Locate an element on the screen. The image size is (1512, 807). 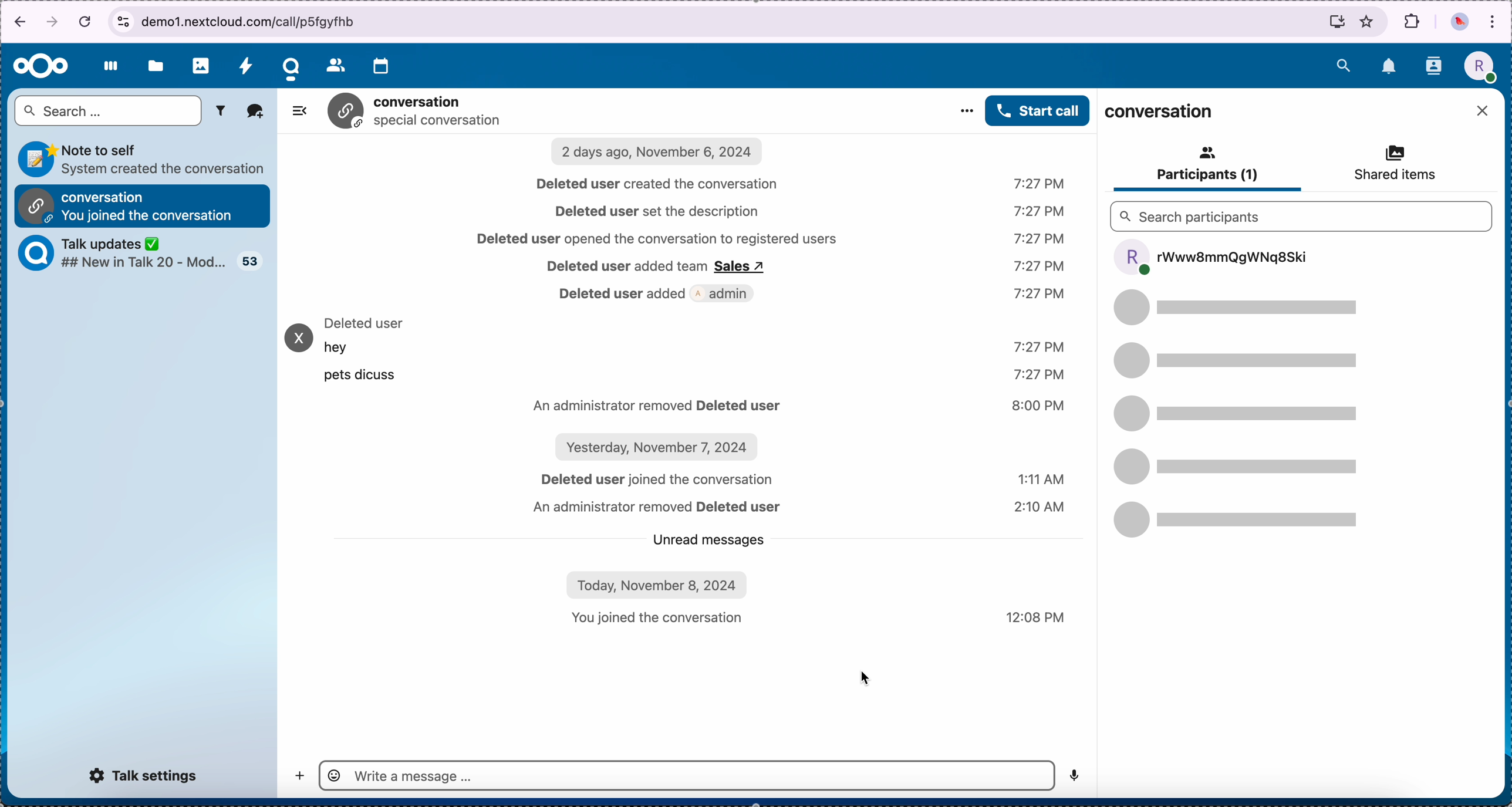
info is located at coordinates (811, 321).